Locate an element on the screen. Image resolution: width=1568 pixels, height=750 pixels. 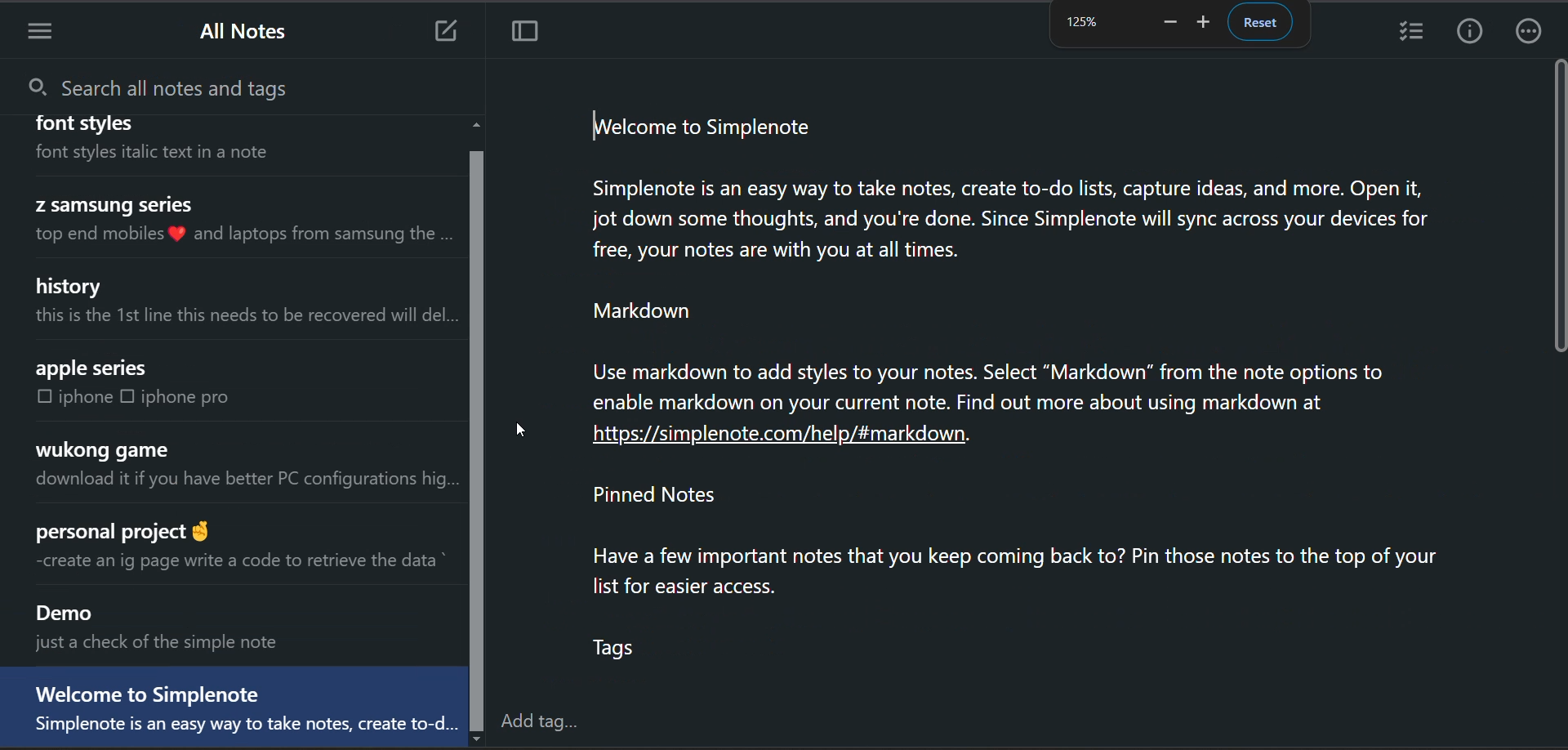
vertical scroll bar is located at coordinates (479, 446).